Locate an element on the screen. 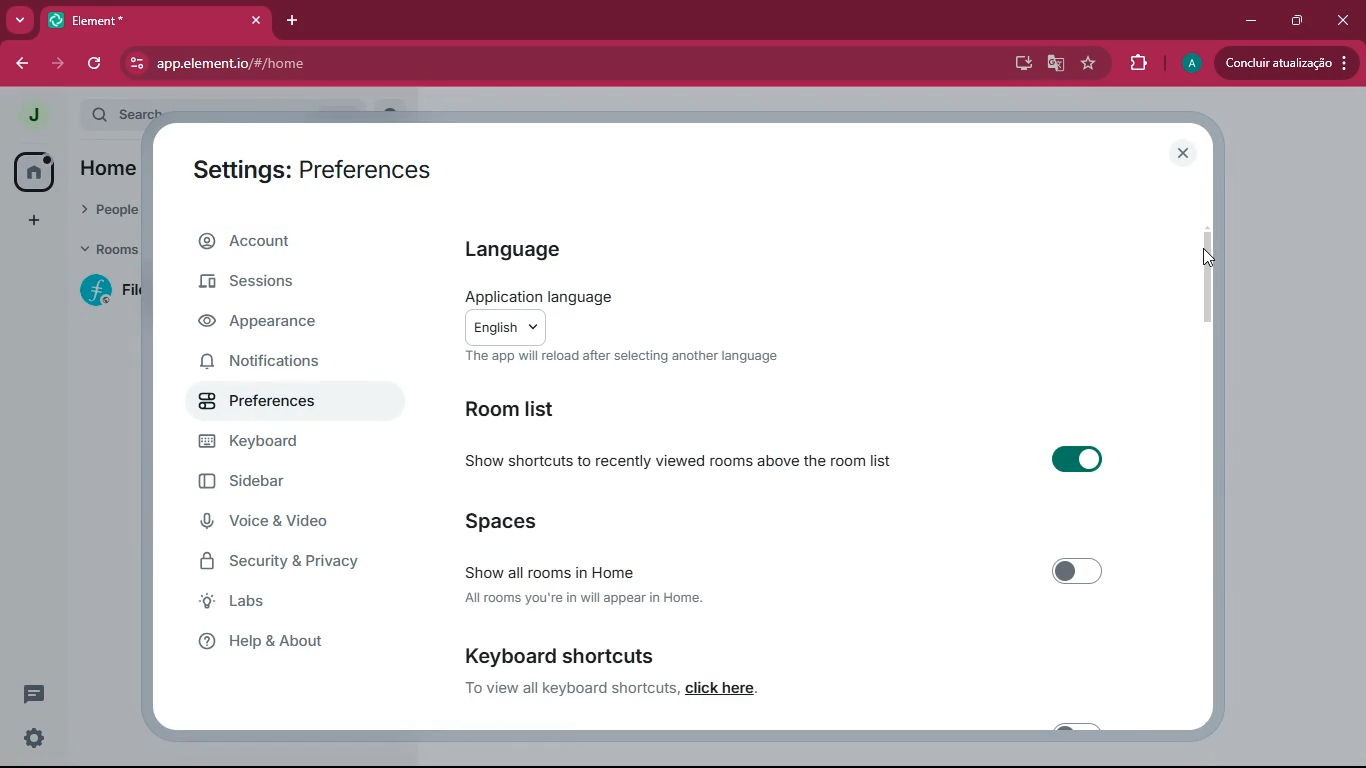 This screenshot has height=768, width=1366. extensions is located at coordinates (1138, 63).